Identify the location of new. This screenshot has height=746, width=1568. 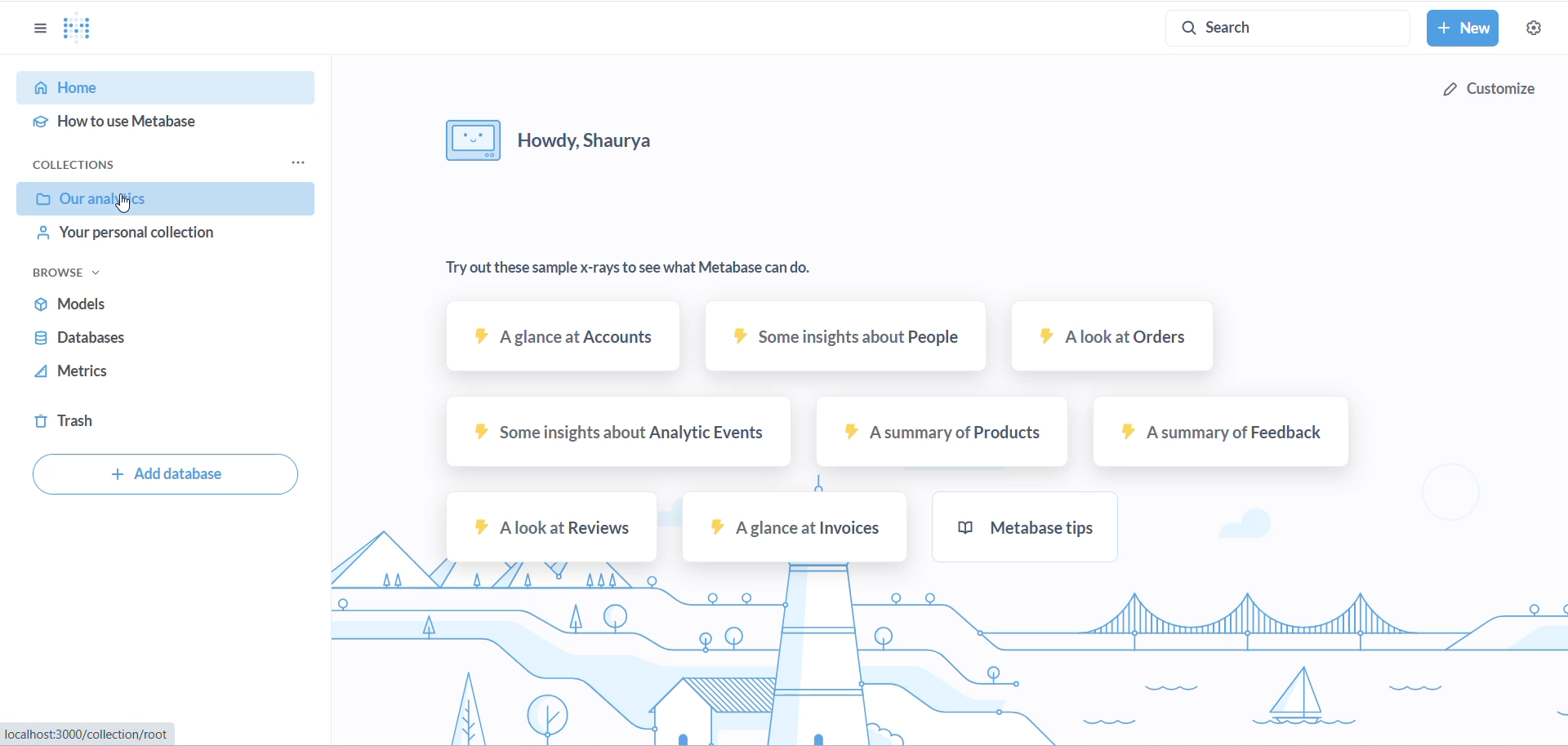
(1463, 29).